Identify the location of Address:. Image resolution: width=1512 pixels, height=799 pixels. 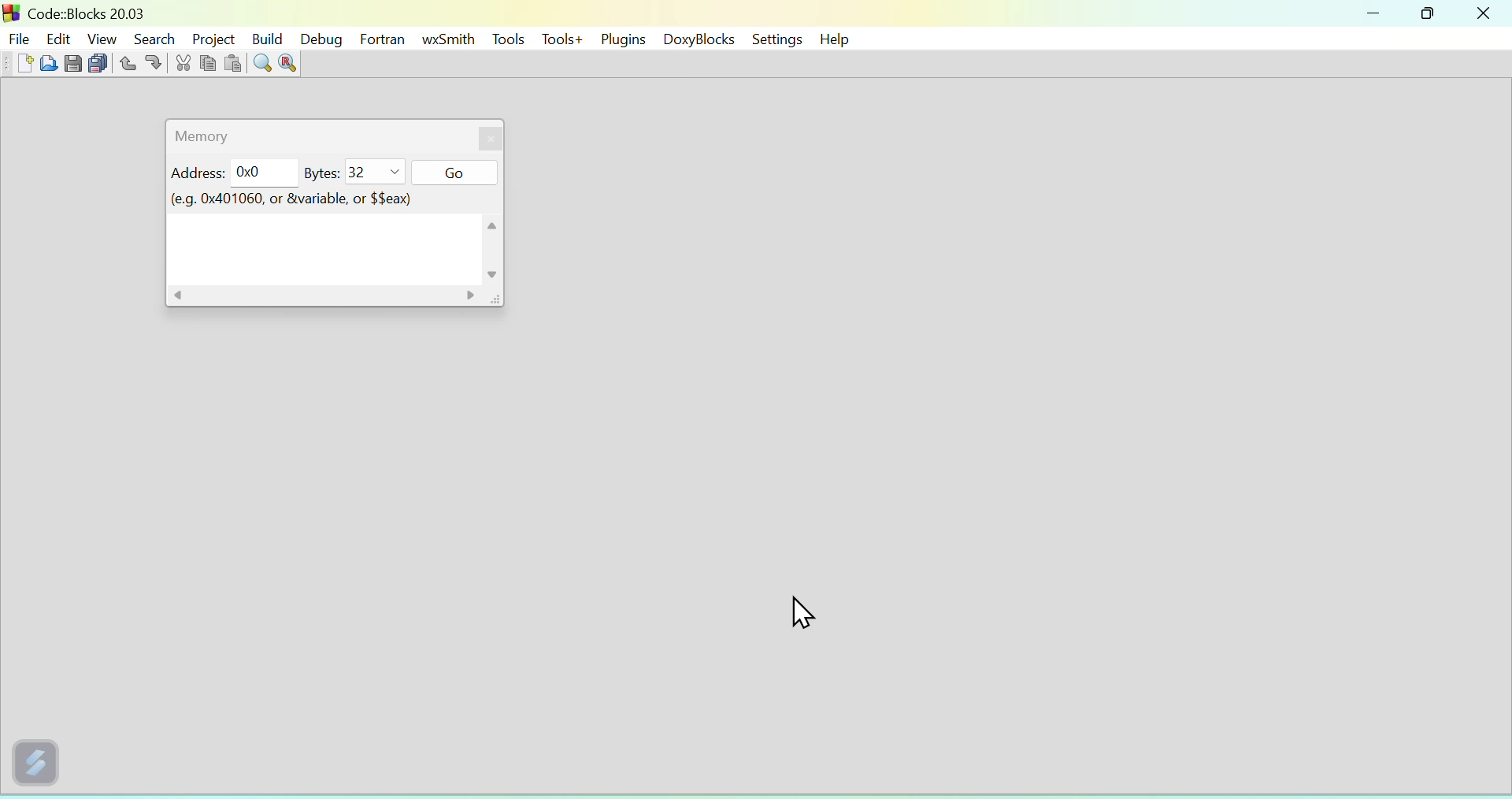
(198, 173).